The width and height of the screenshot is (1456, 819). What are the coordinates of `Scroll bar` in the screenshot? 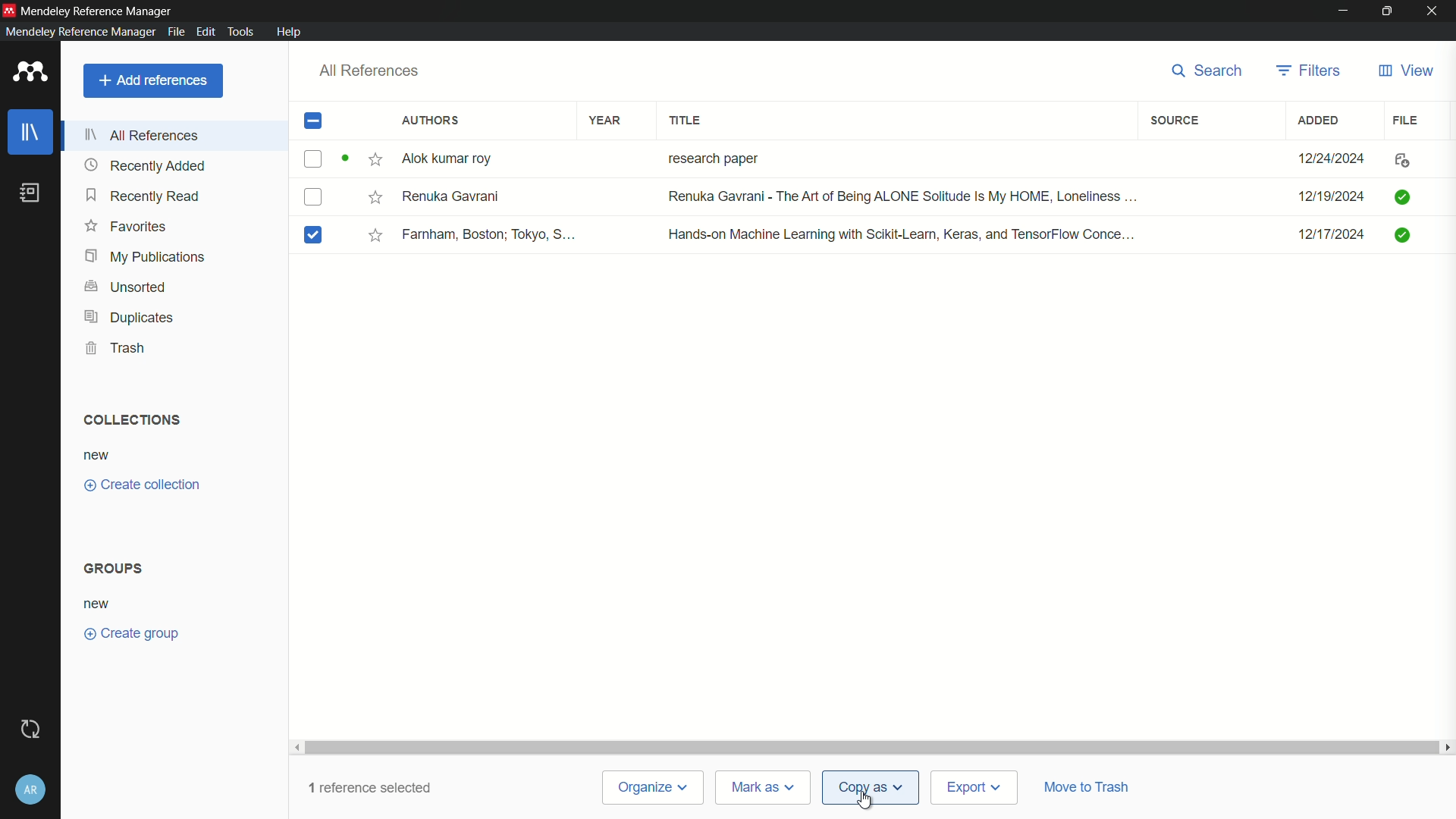 It's located at (873, 744).